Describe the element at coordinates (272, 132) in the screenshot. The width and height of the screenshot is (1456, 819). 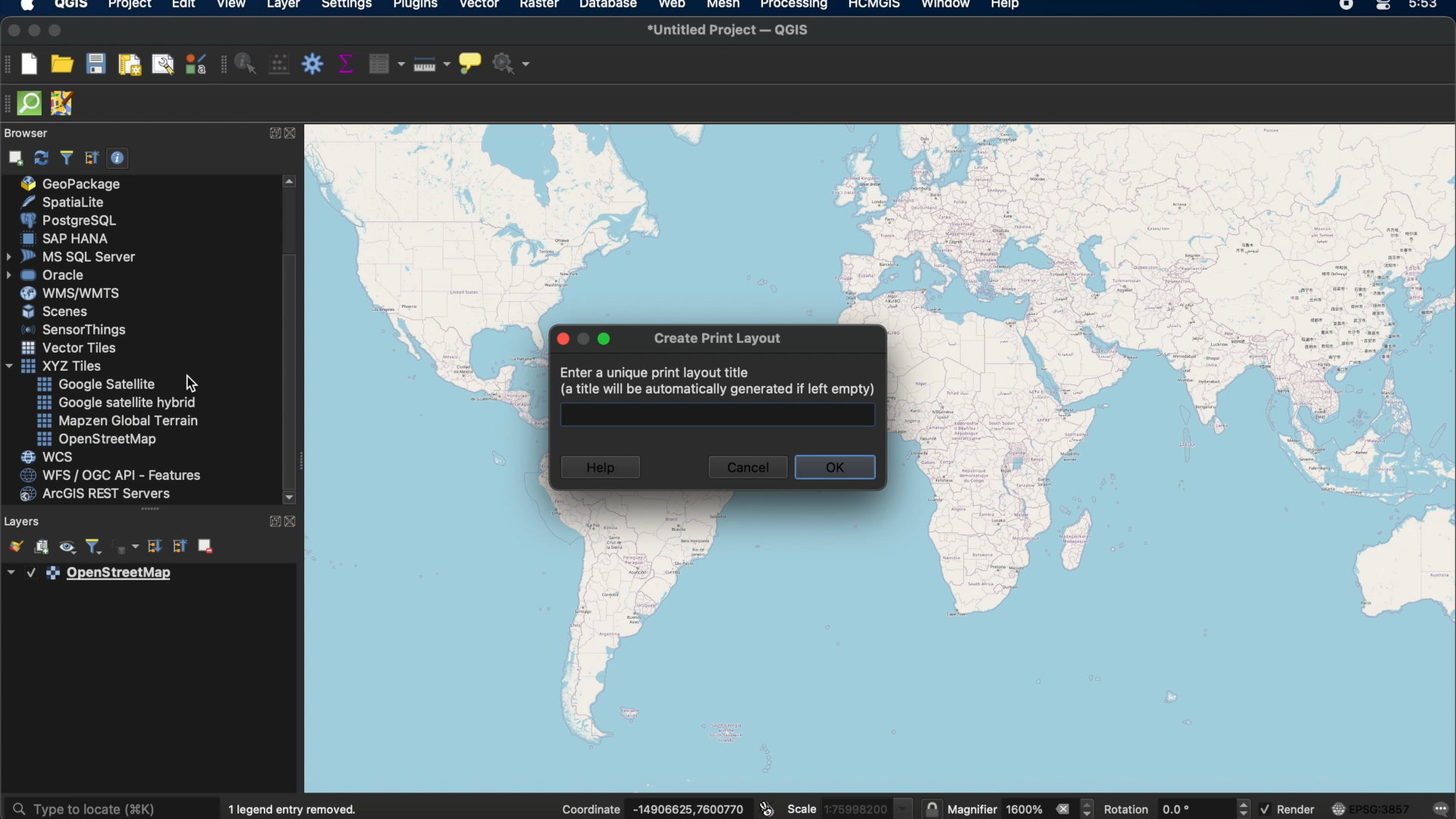
I see `expand` at that location.